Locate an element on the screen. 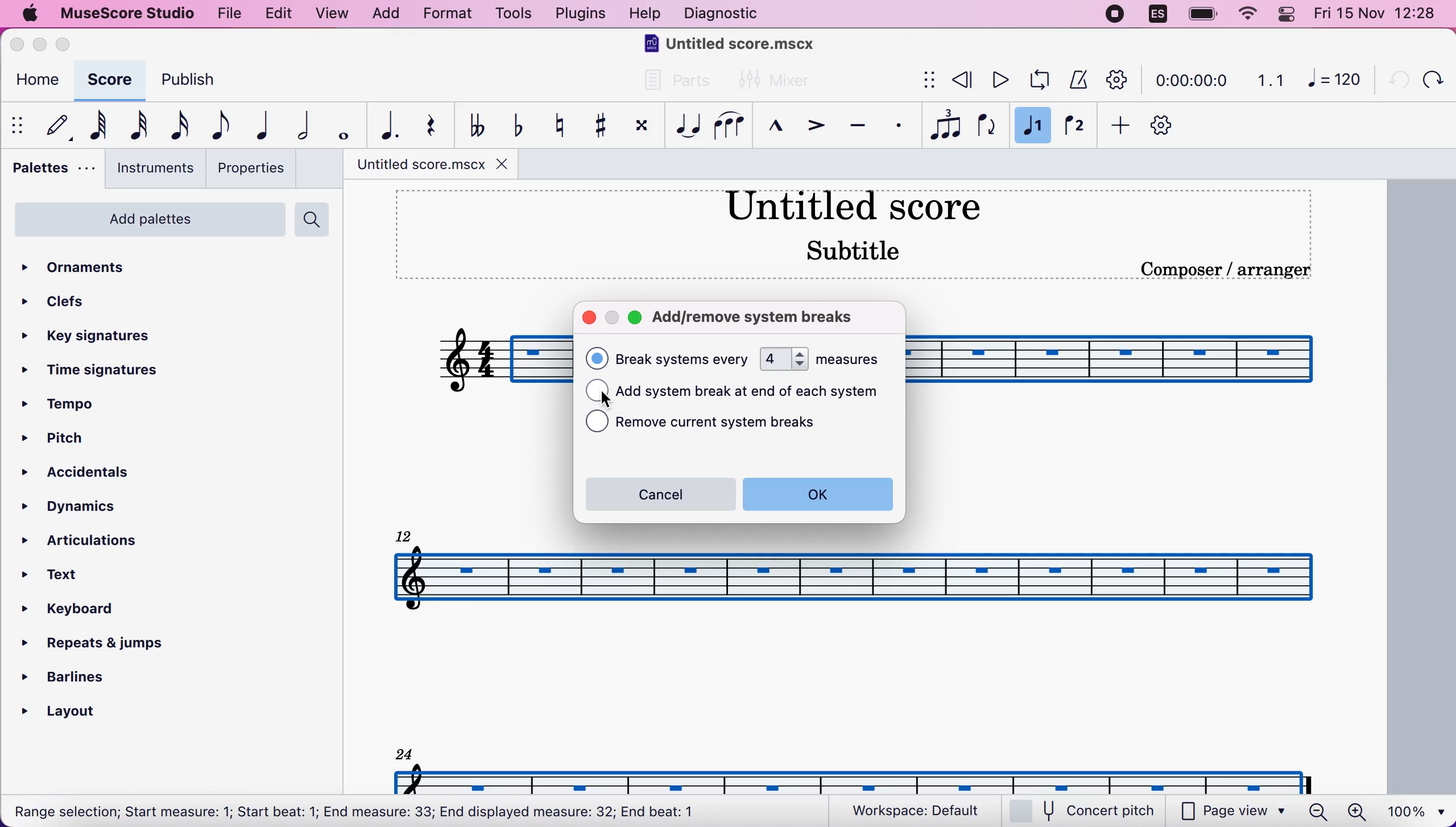  24 is located at coordinates (404, 752).